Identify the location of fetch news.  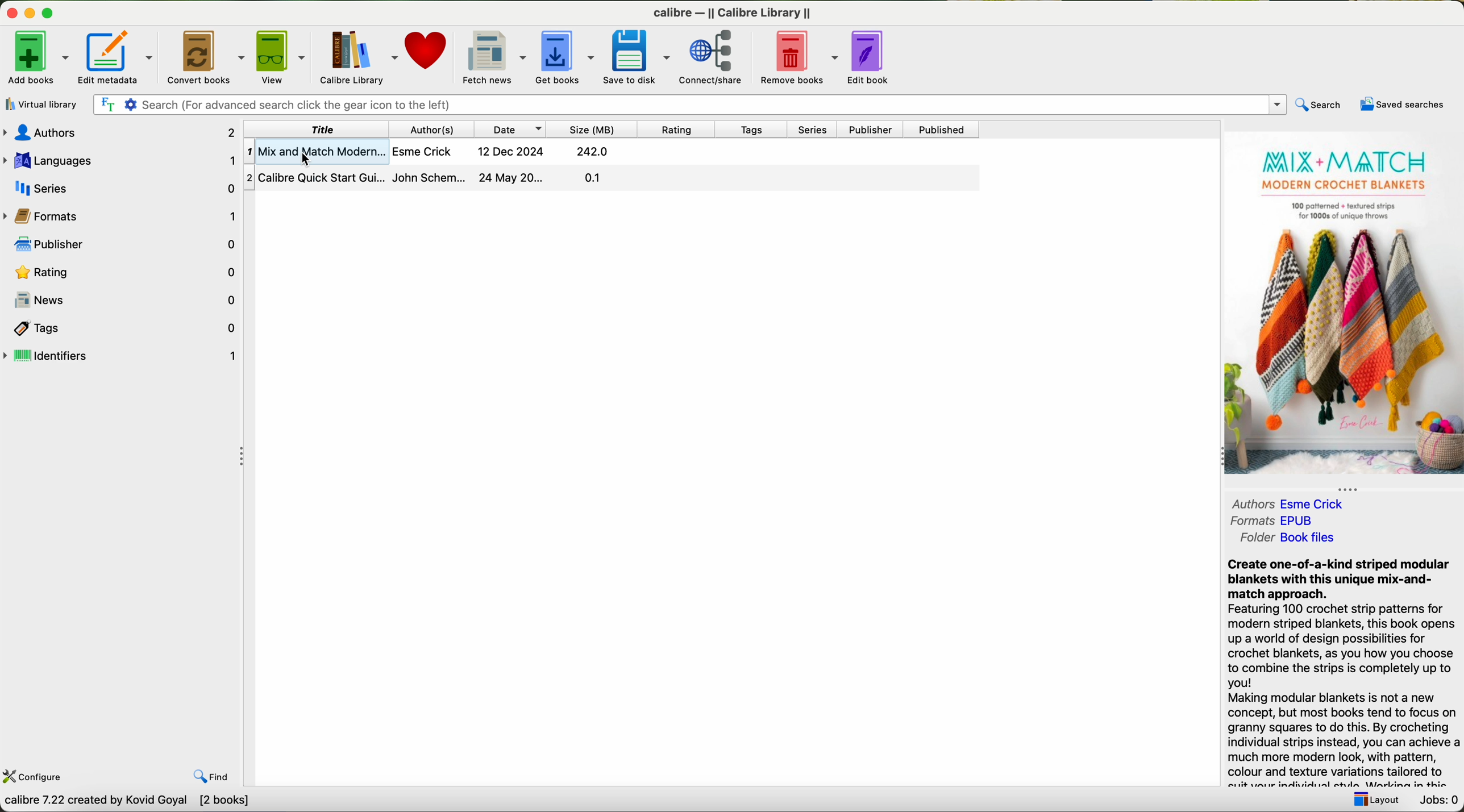
(493, 55).